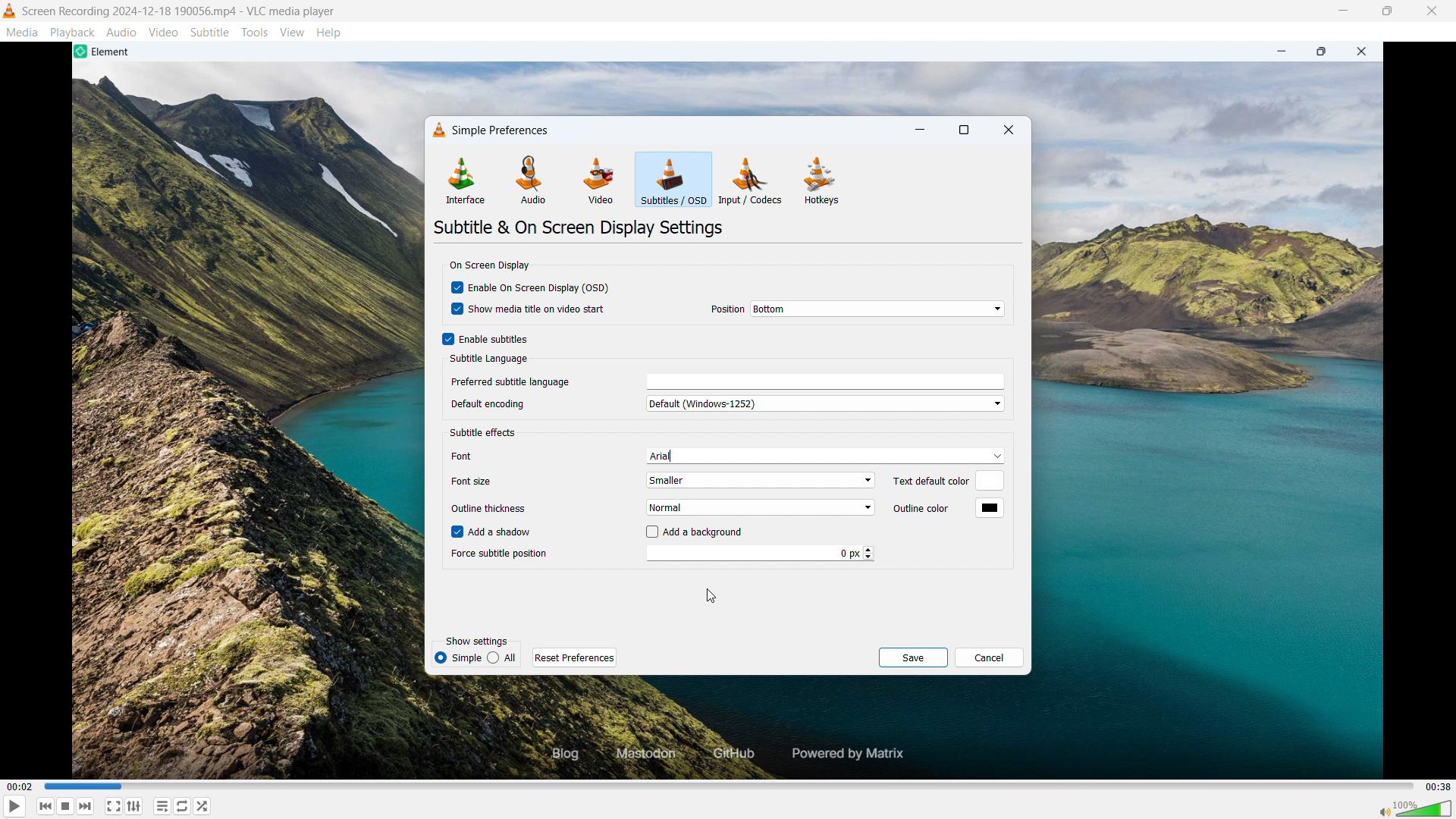 The image size is (1456, 819). I want to click on subtitle language, so click(489, 360).